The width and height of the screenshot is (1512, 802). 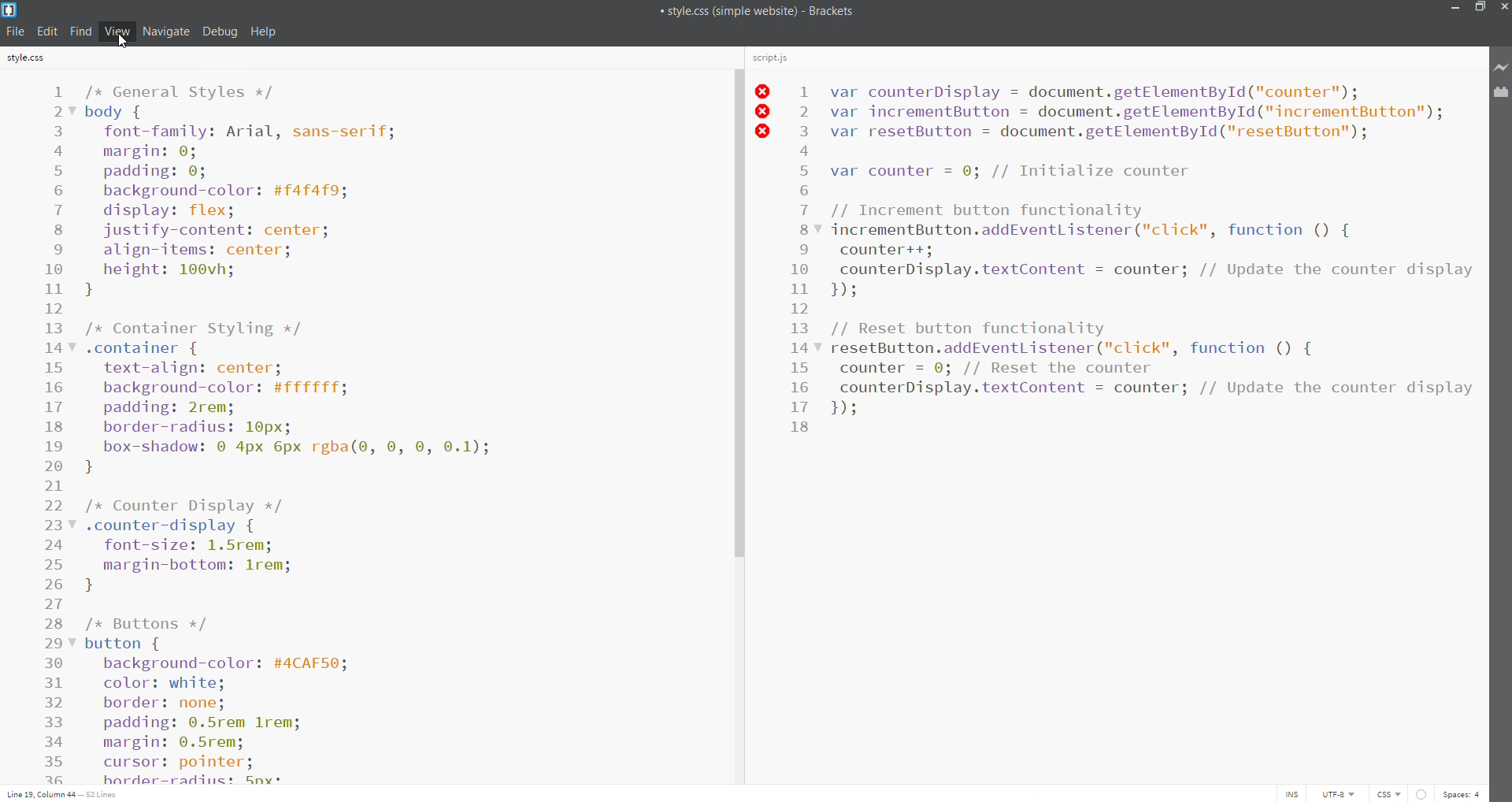 What do you see at coordinates (1384, 793) in the screenshot?
I see `file type` at bounding box center [1384, 793].